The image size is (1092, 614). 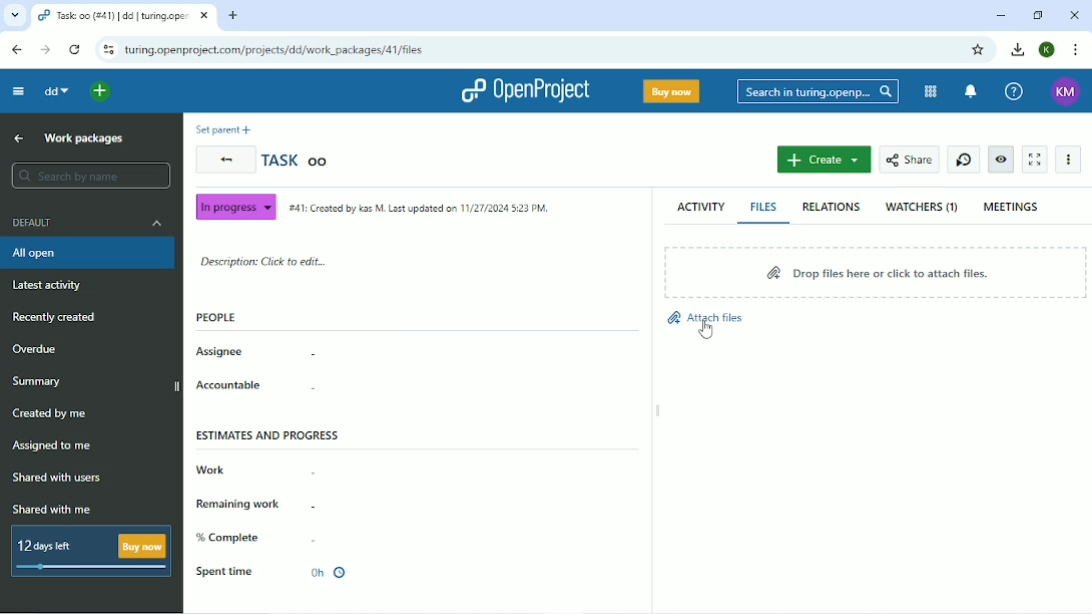 I want to click on Create, so click(x=825, y=159).